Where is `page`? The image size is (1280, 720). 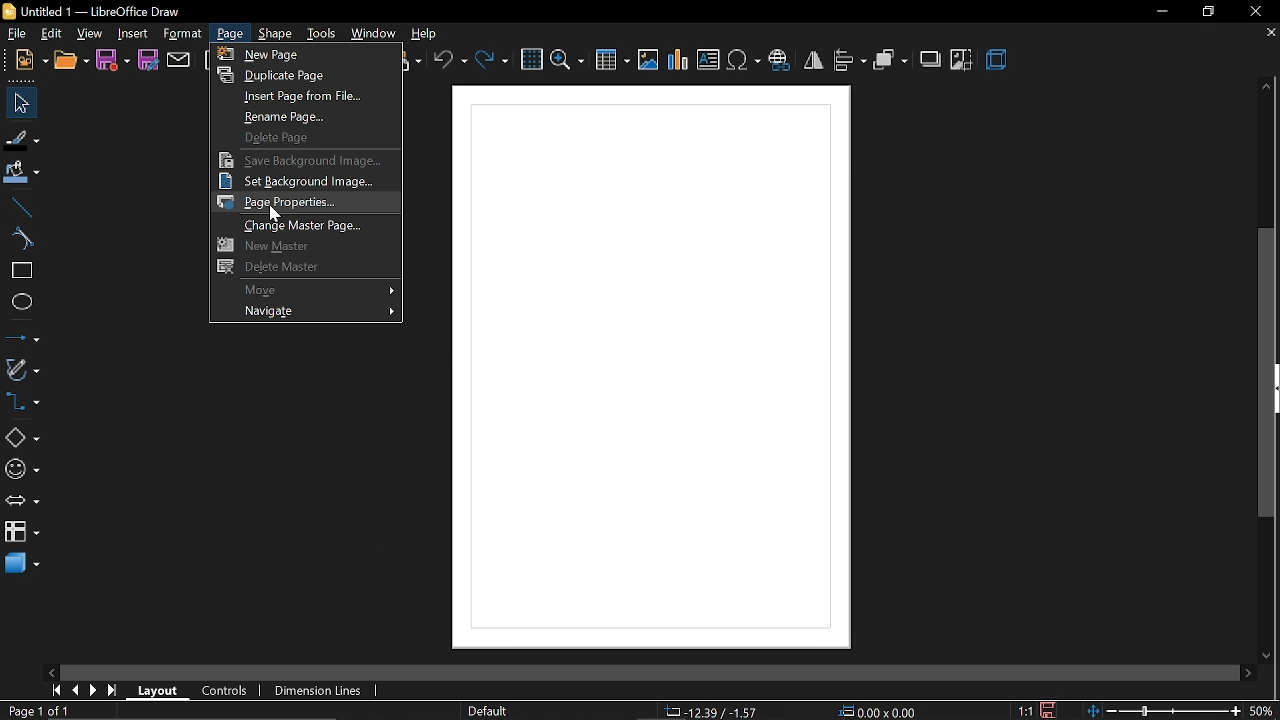
page is located at coordinates (230, 34).